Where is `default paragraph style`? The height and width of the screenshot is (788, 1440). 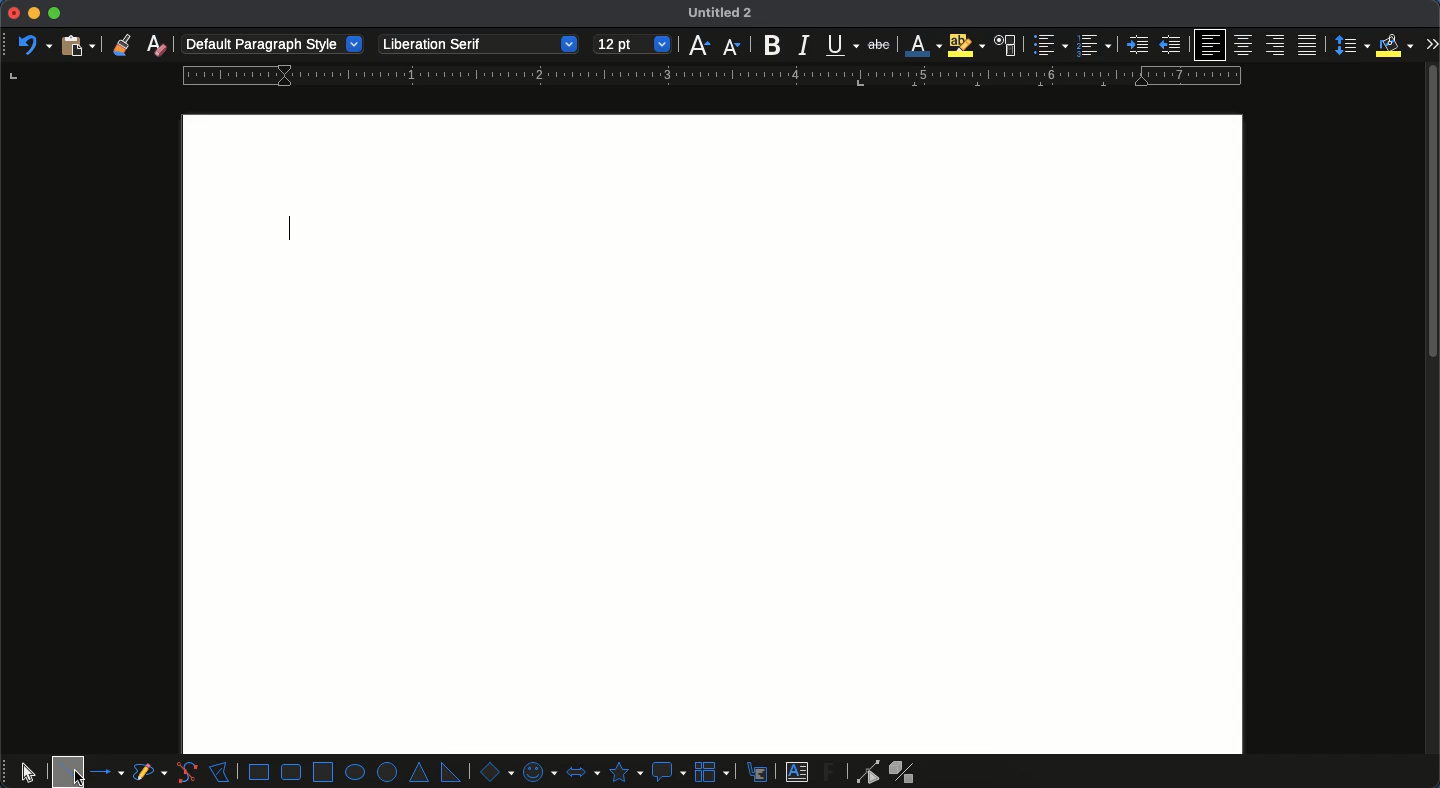 default paragraph style is located at coordinates (273, 44).